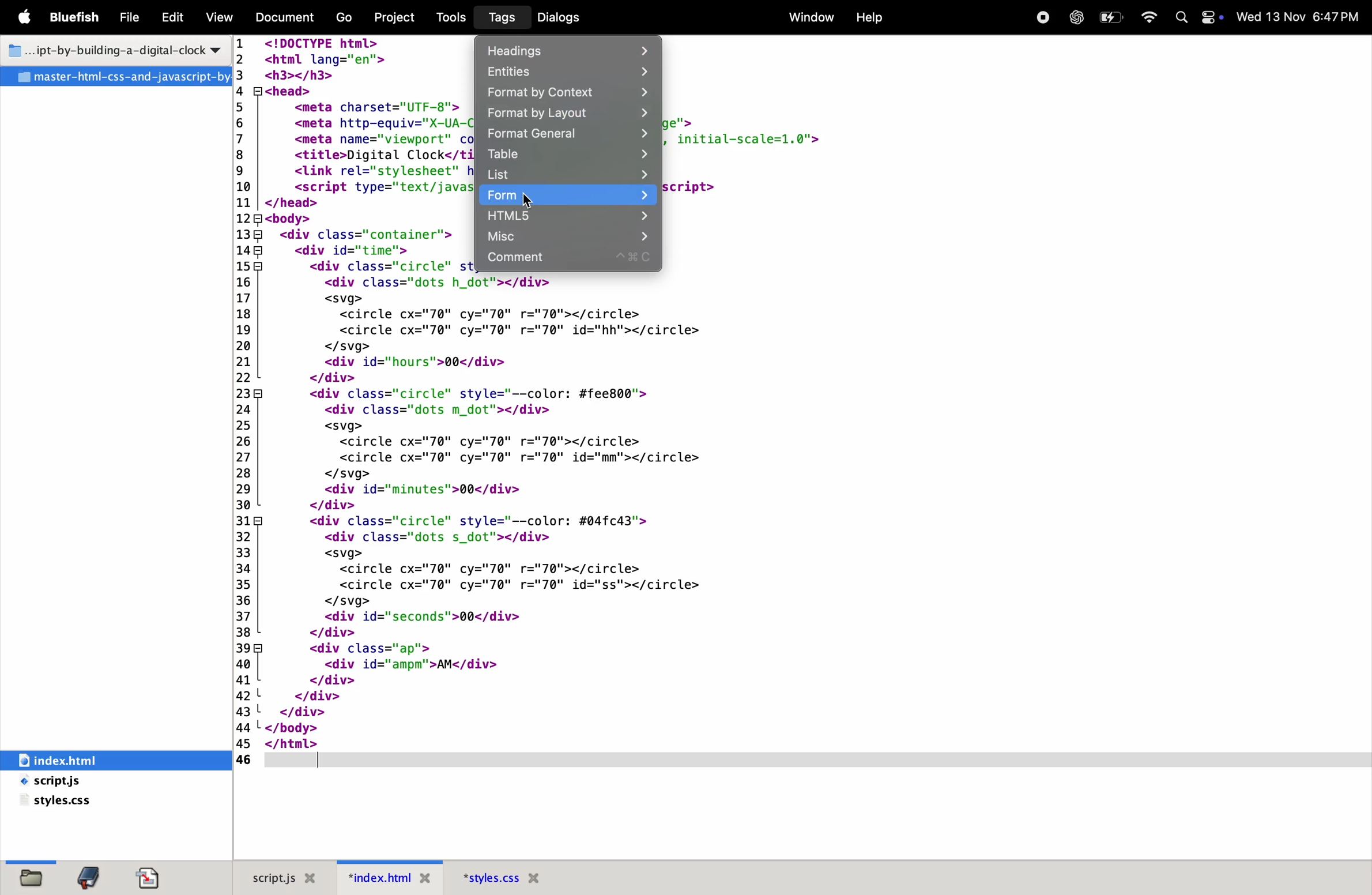 The image size is (1372, 895). I want to click on page title, so click(112, 52).